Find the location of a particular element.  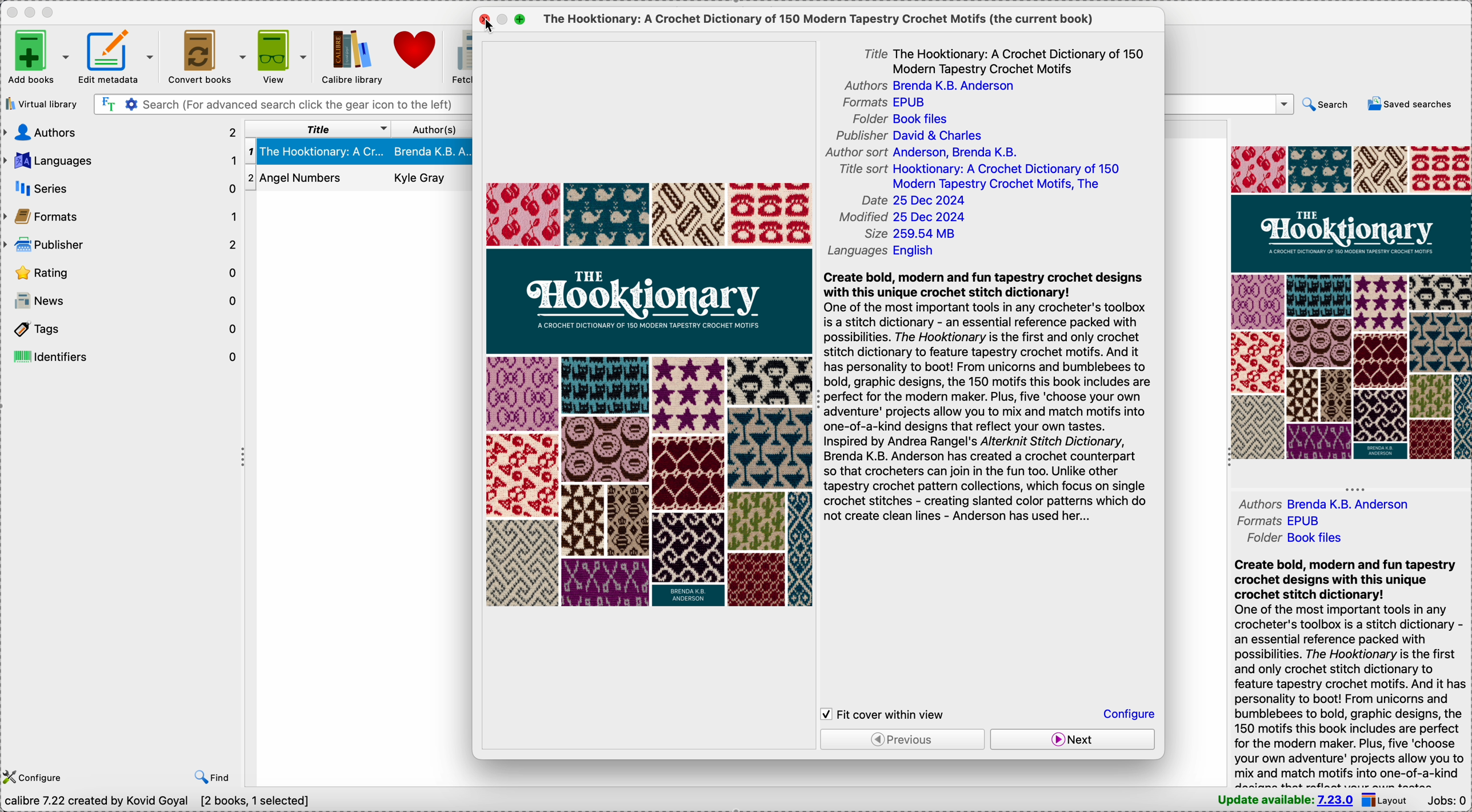

current book is located at coordinates (821, 19).